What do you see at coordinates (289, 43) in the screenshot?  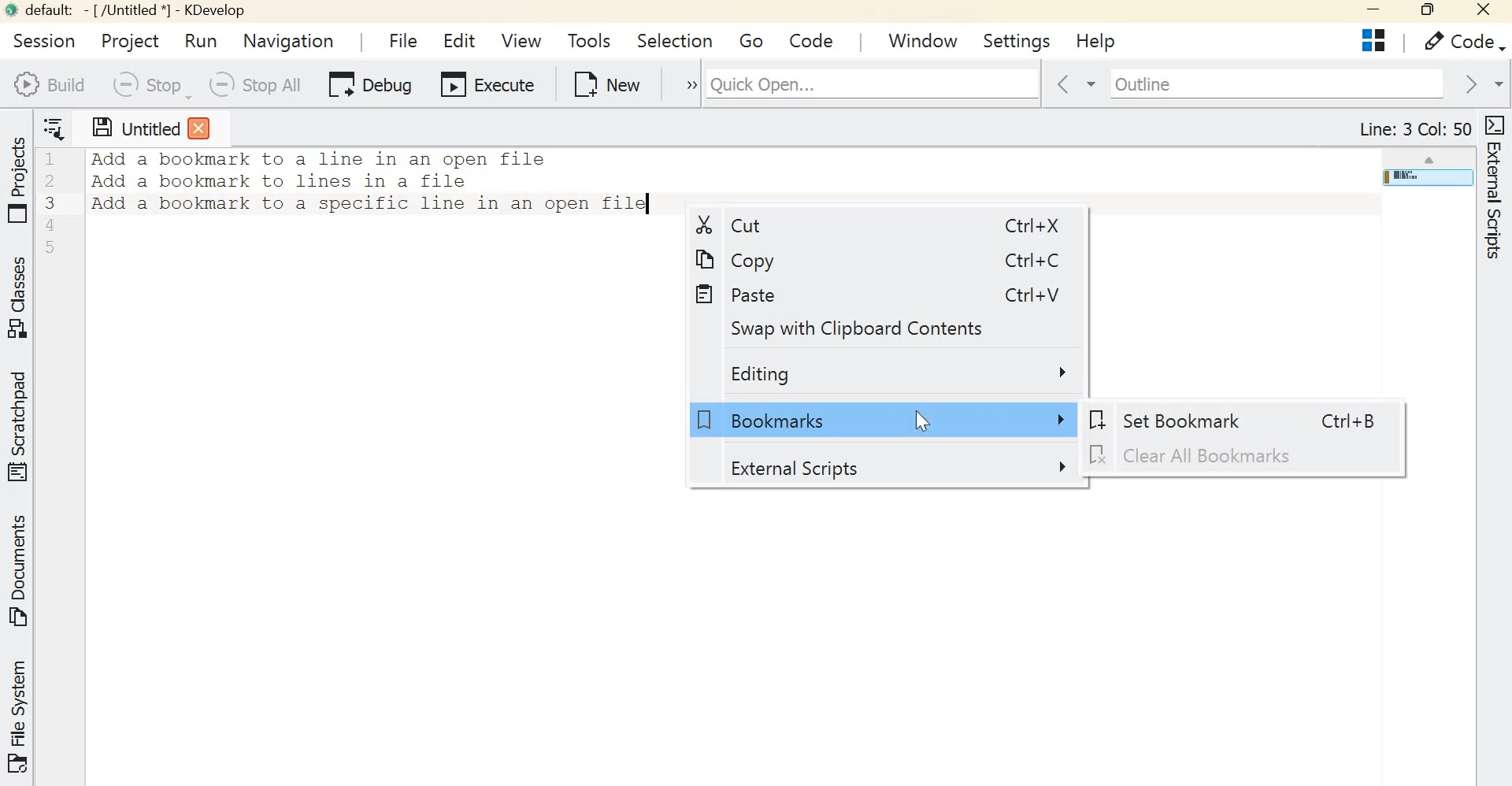 I see `Navigation` at bounding box center [289, 43].